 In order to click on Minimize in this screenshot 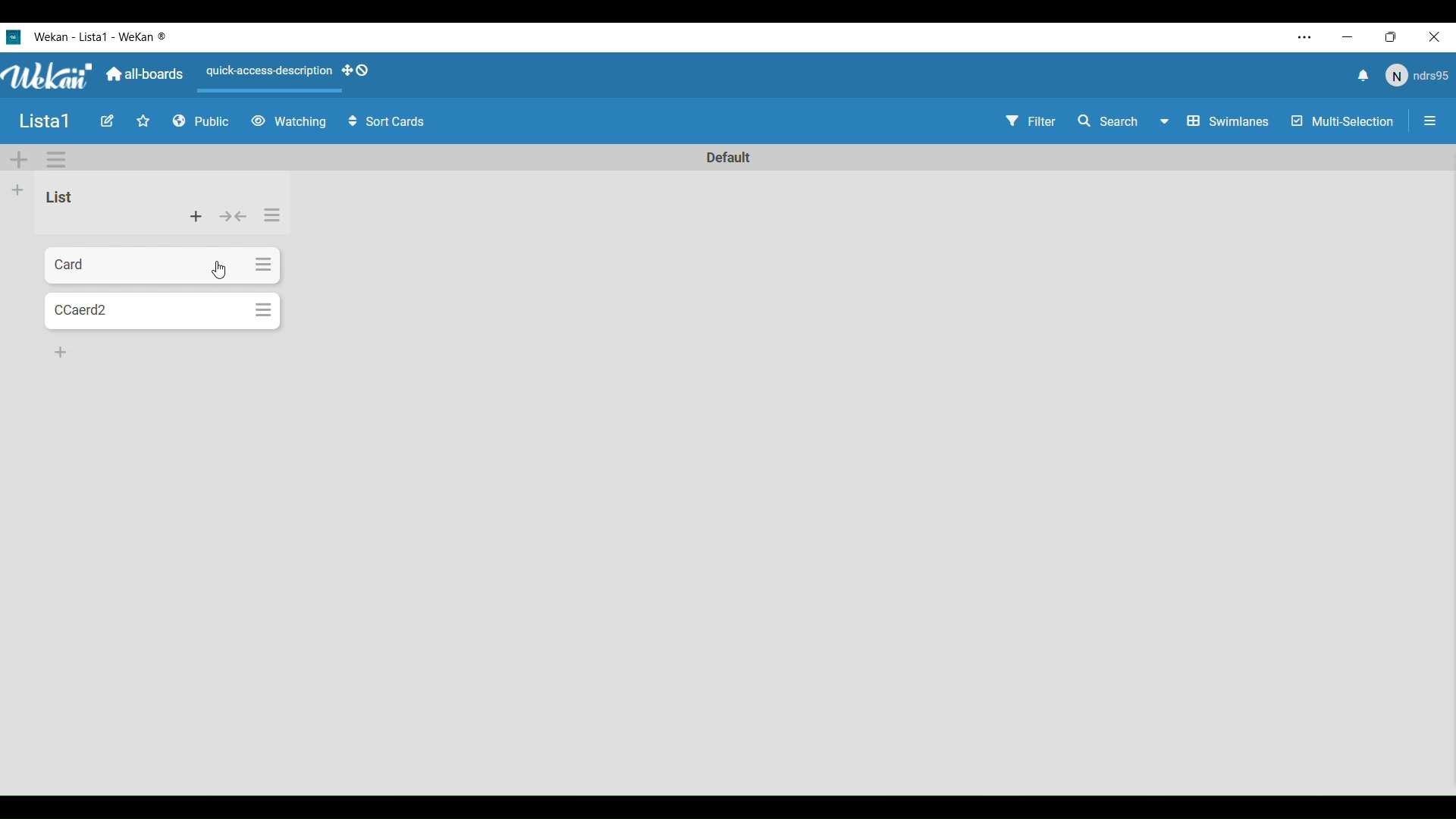, I will do `click(1349, 37)`.